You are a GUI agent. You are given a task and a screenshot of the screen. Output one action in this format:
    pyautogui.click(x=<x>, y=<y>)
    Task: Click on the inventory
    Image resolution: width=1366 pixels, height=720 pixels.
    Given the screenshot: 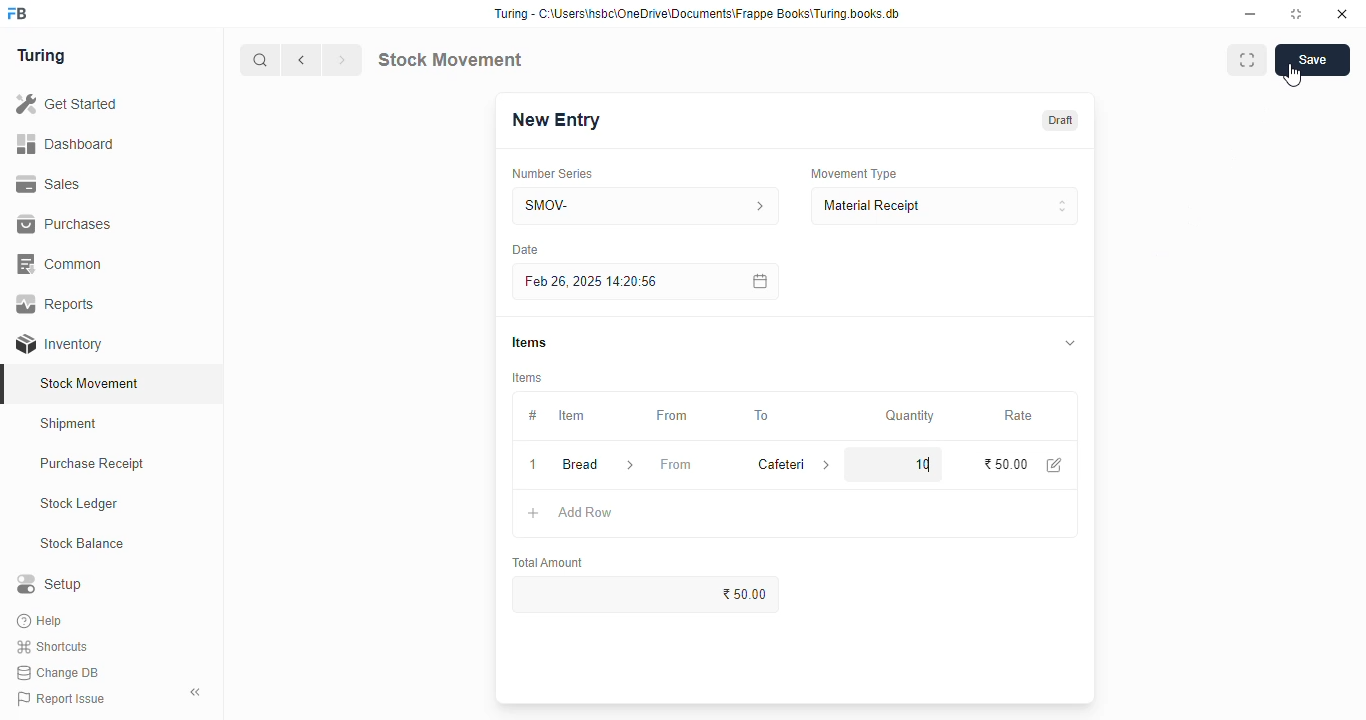 What is the action you would take?
    pyautogui.click(x=59, y=344)
    